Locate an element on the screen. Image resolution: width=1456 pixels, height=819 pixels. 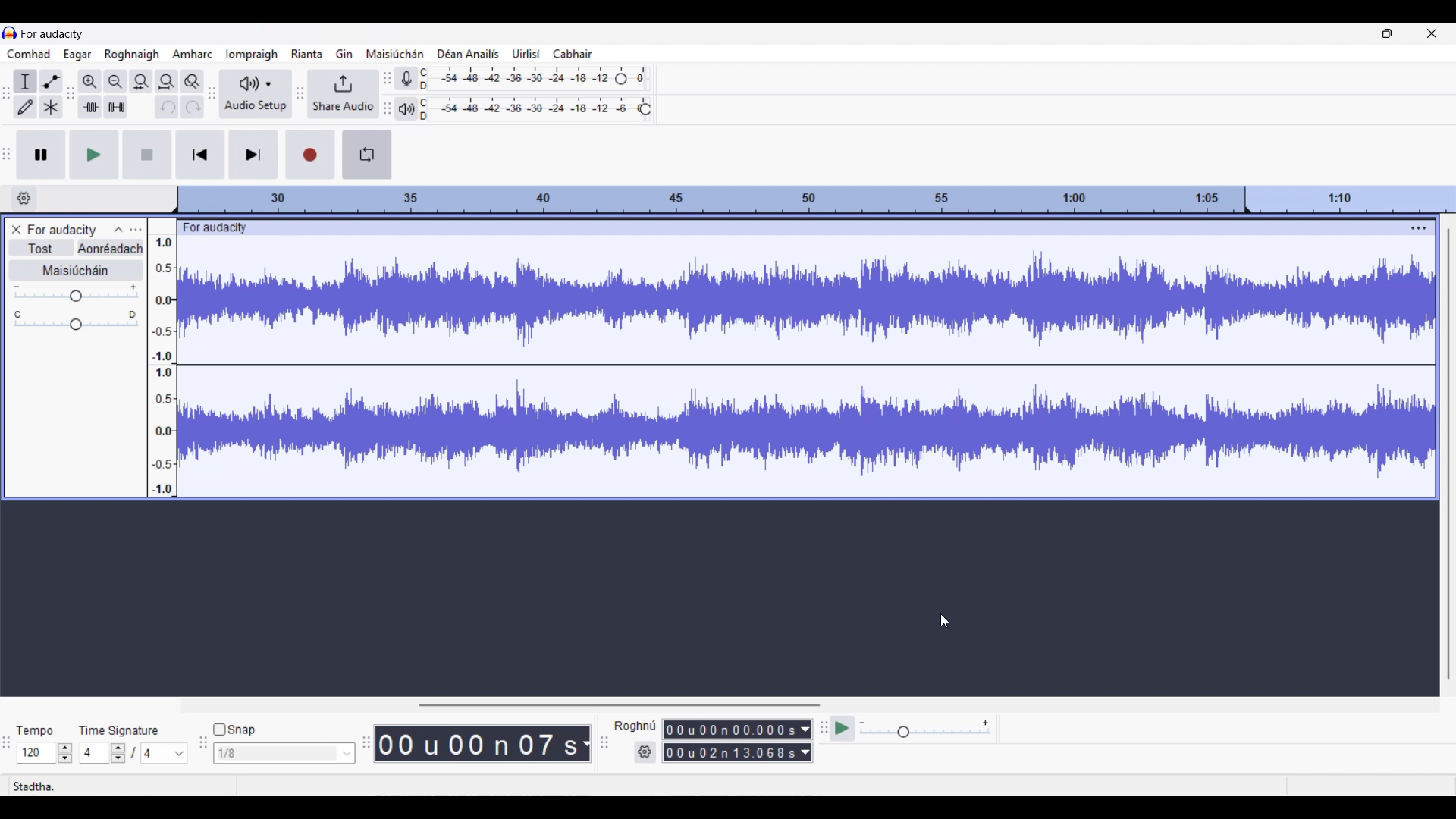
Scale to measure track length is located at coordinates (816, 199).